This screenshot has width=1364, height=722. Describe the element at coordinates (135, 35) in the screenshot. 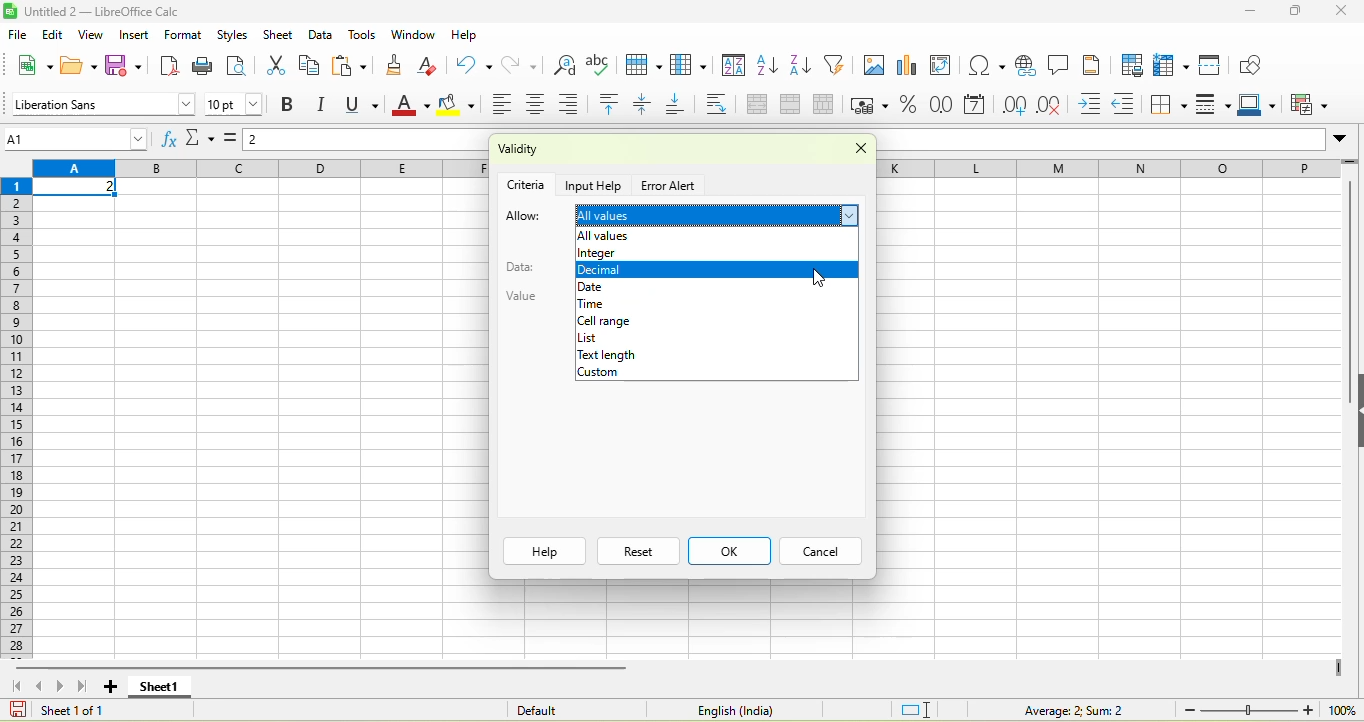

I see `insert` at that location.